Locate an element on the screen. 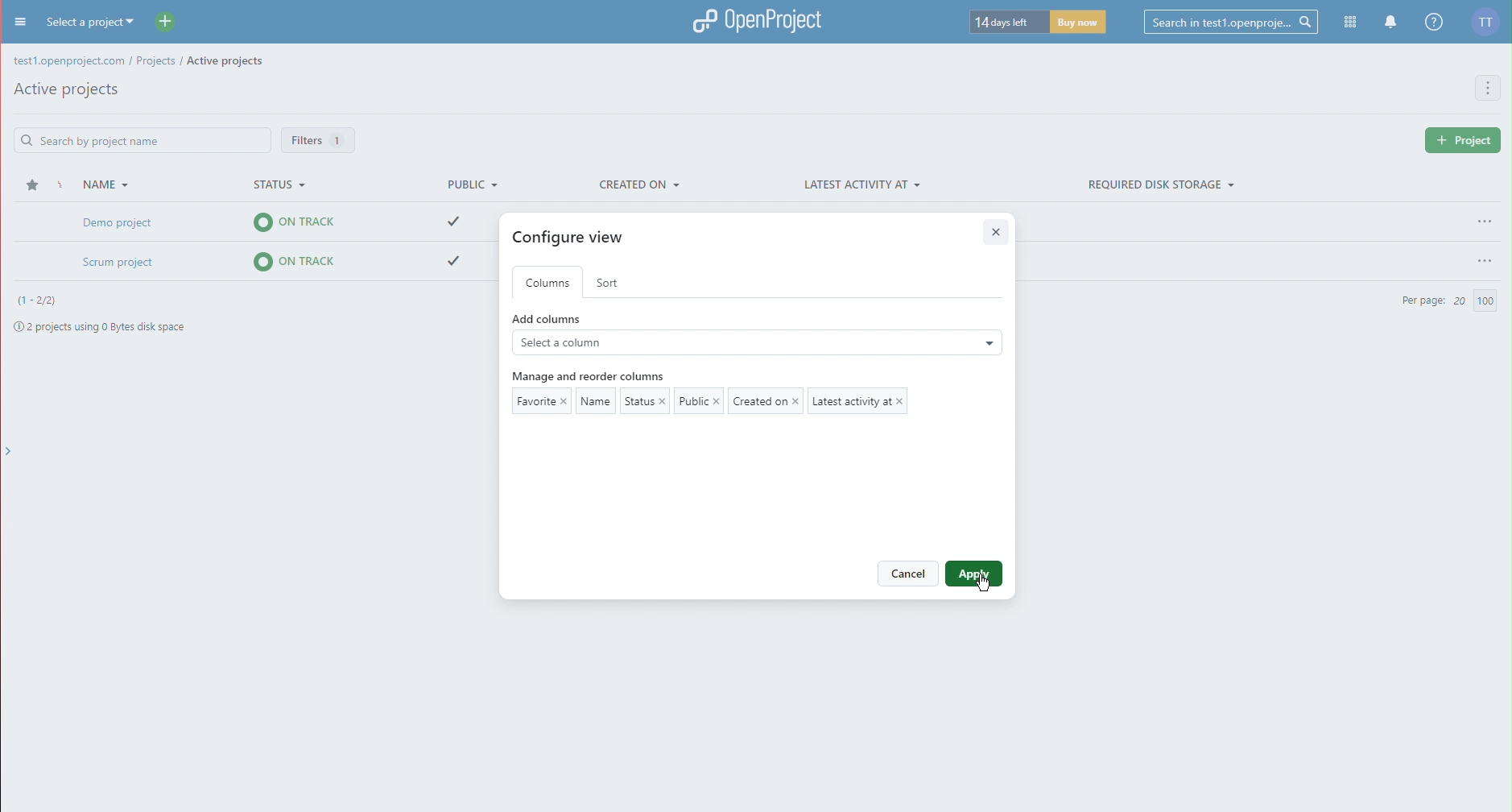 The width and height of the screenshot is (1512, 812). Help is located at coordinates (1433, 24).